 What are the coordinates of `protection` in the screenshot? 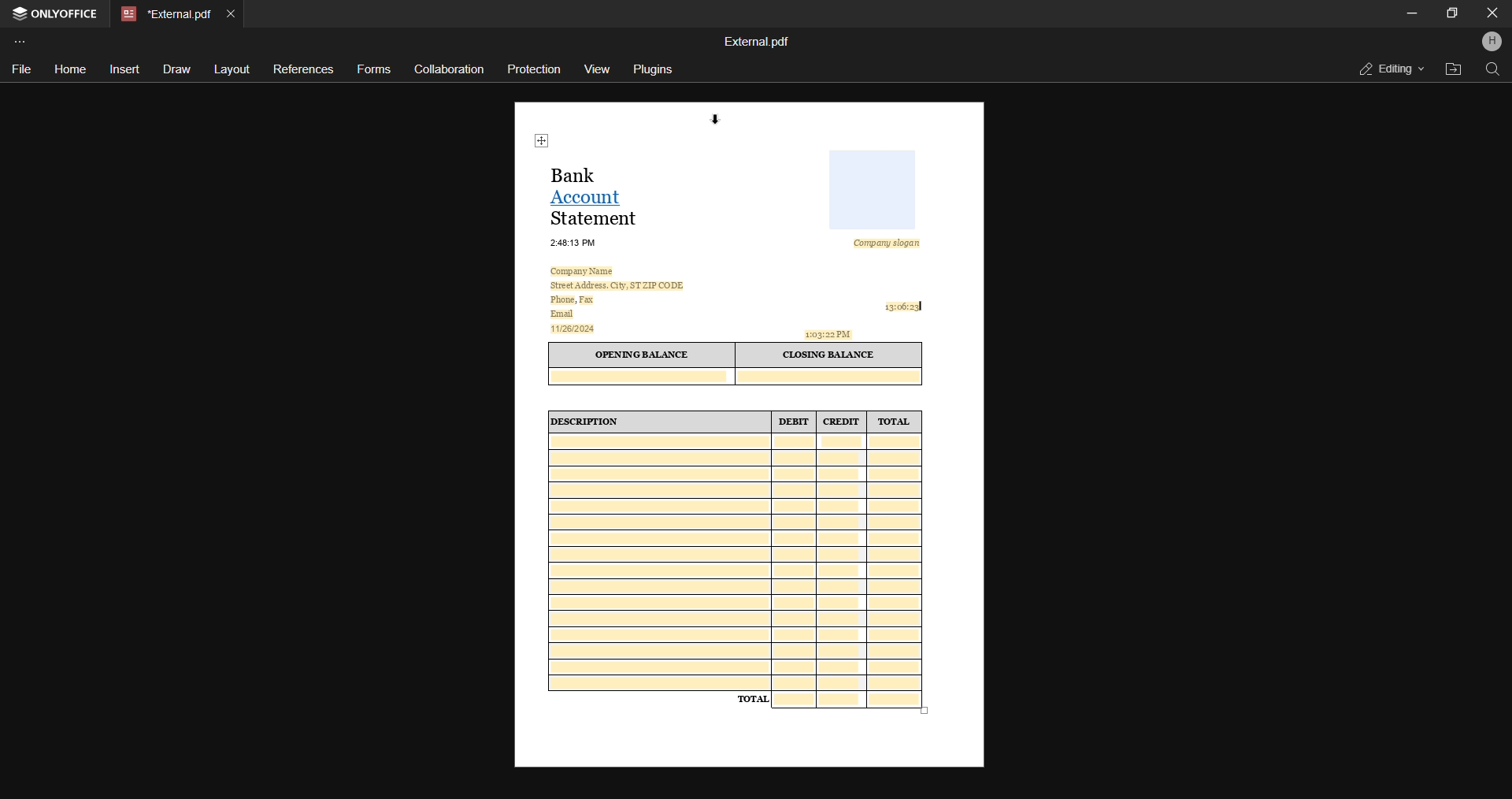 It's located at (536, 69).